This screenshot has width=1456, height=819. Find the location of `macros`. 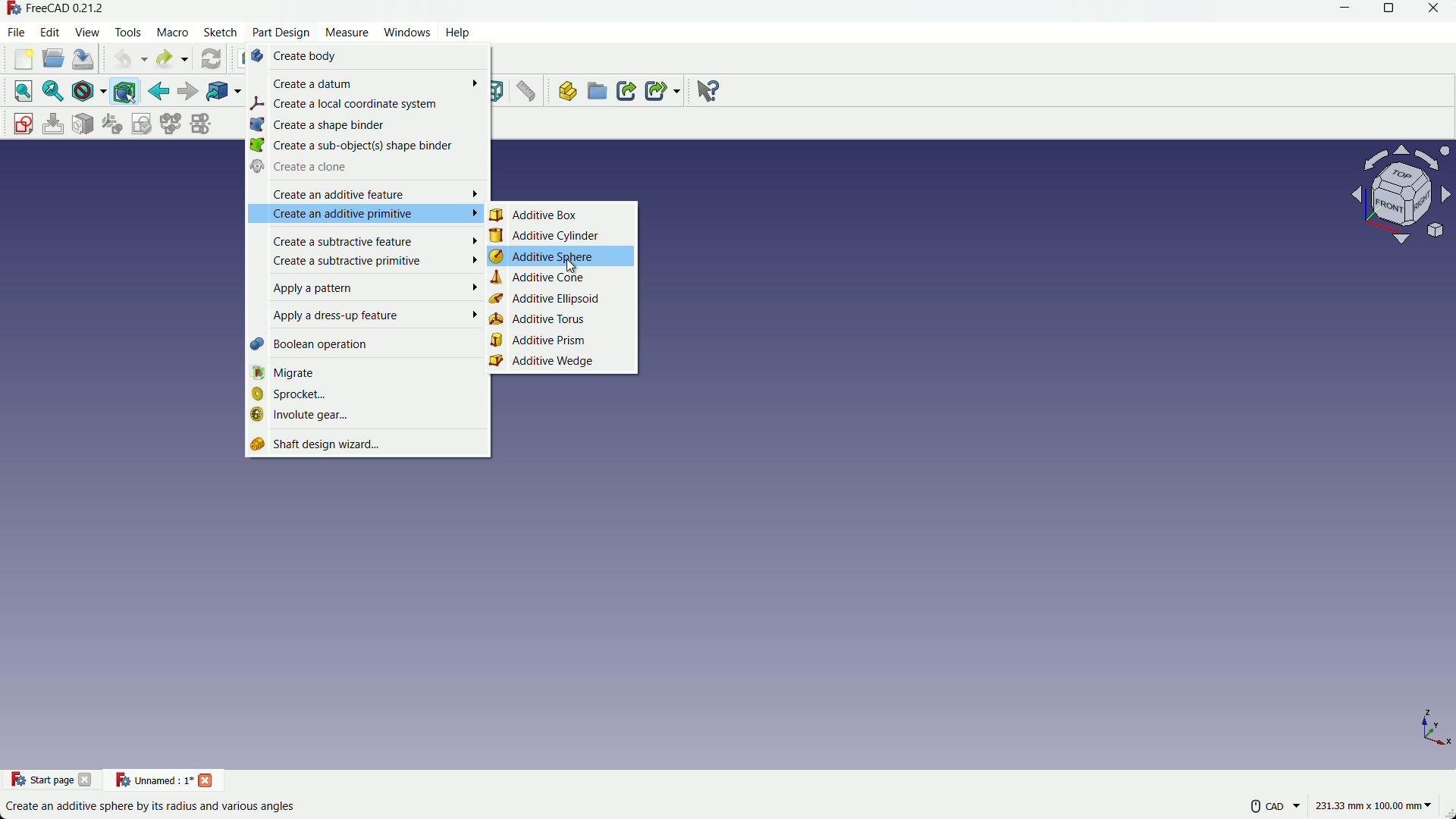

macros is located at coordinates (172, 33).